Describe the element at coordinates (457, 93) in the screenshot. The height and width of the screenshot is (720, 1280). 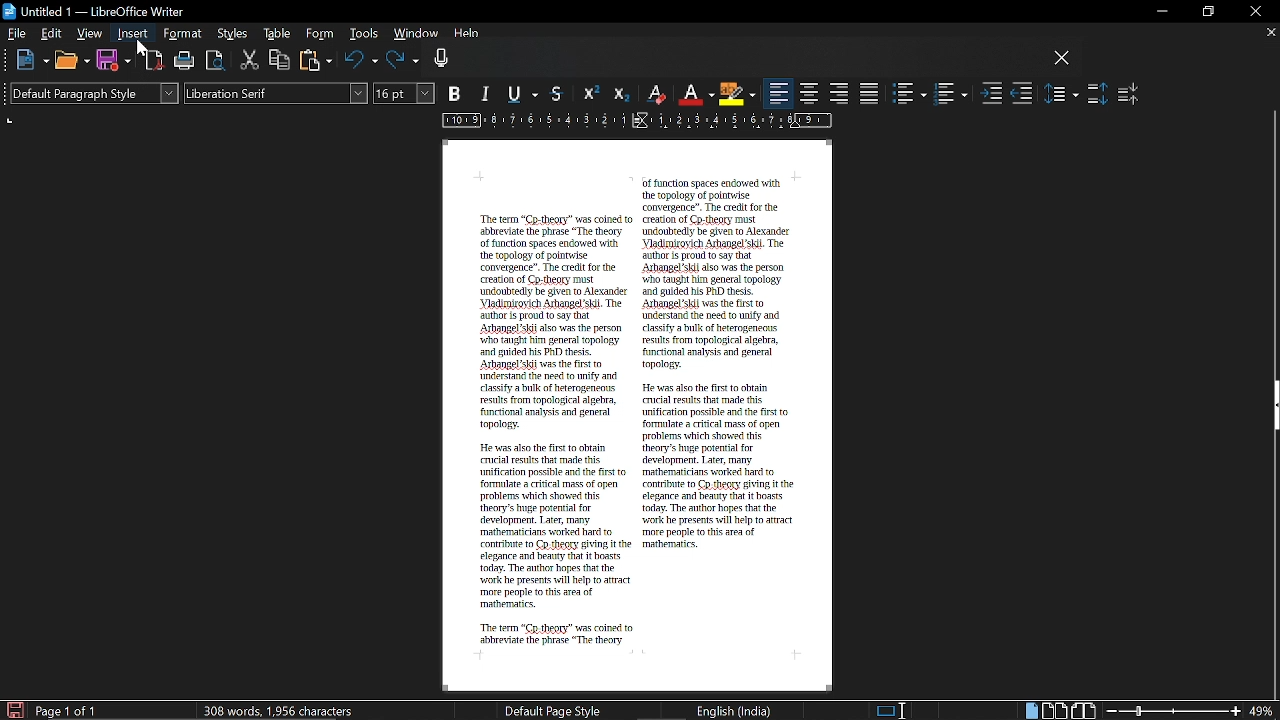
I see `BOld` at that location.